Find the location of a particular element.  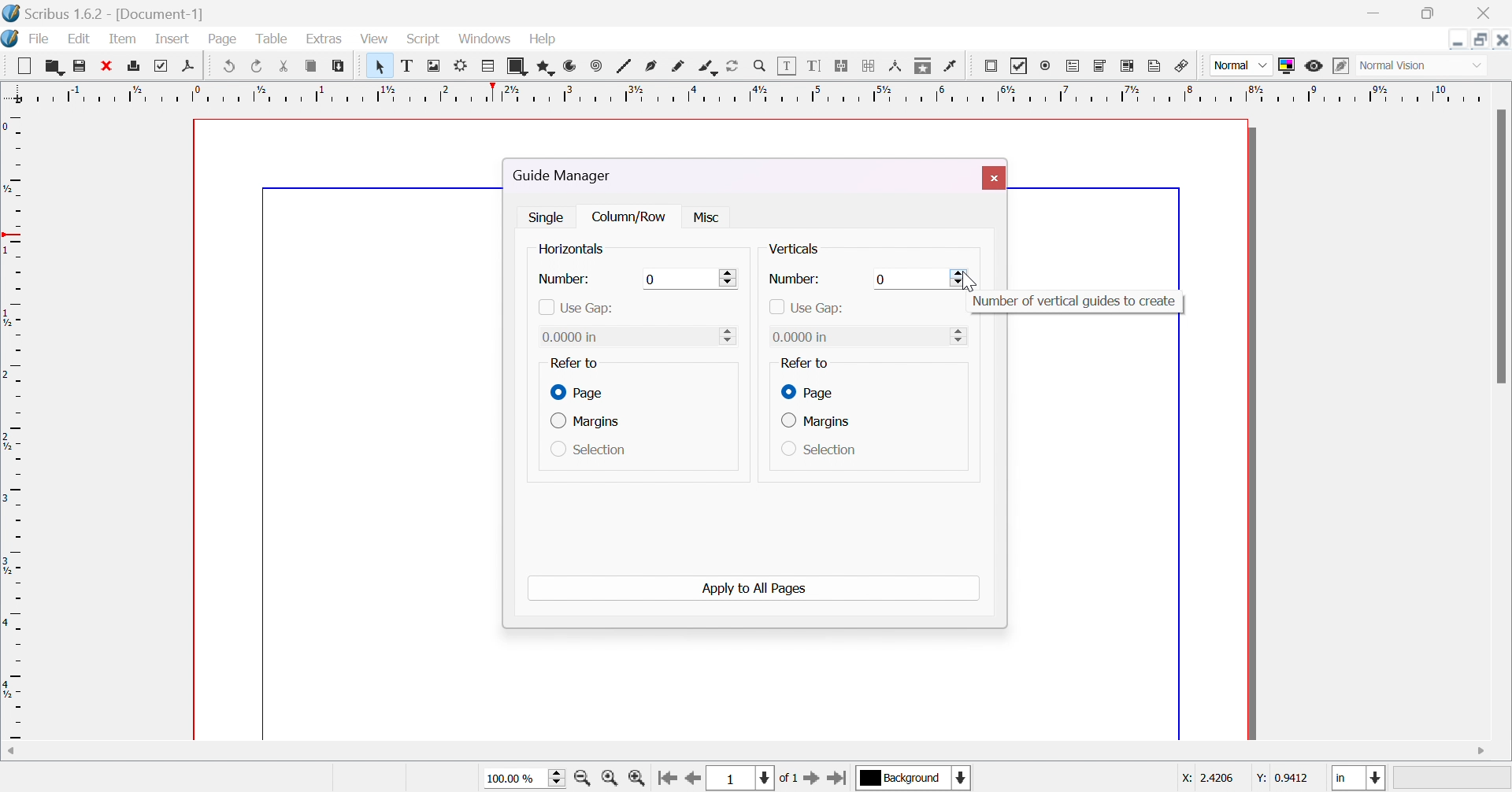

help is located at coordinates (549, 40).